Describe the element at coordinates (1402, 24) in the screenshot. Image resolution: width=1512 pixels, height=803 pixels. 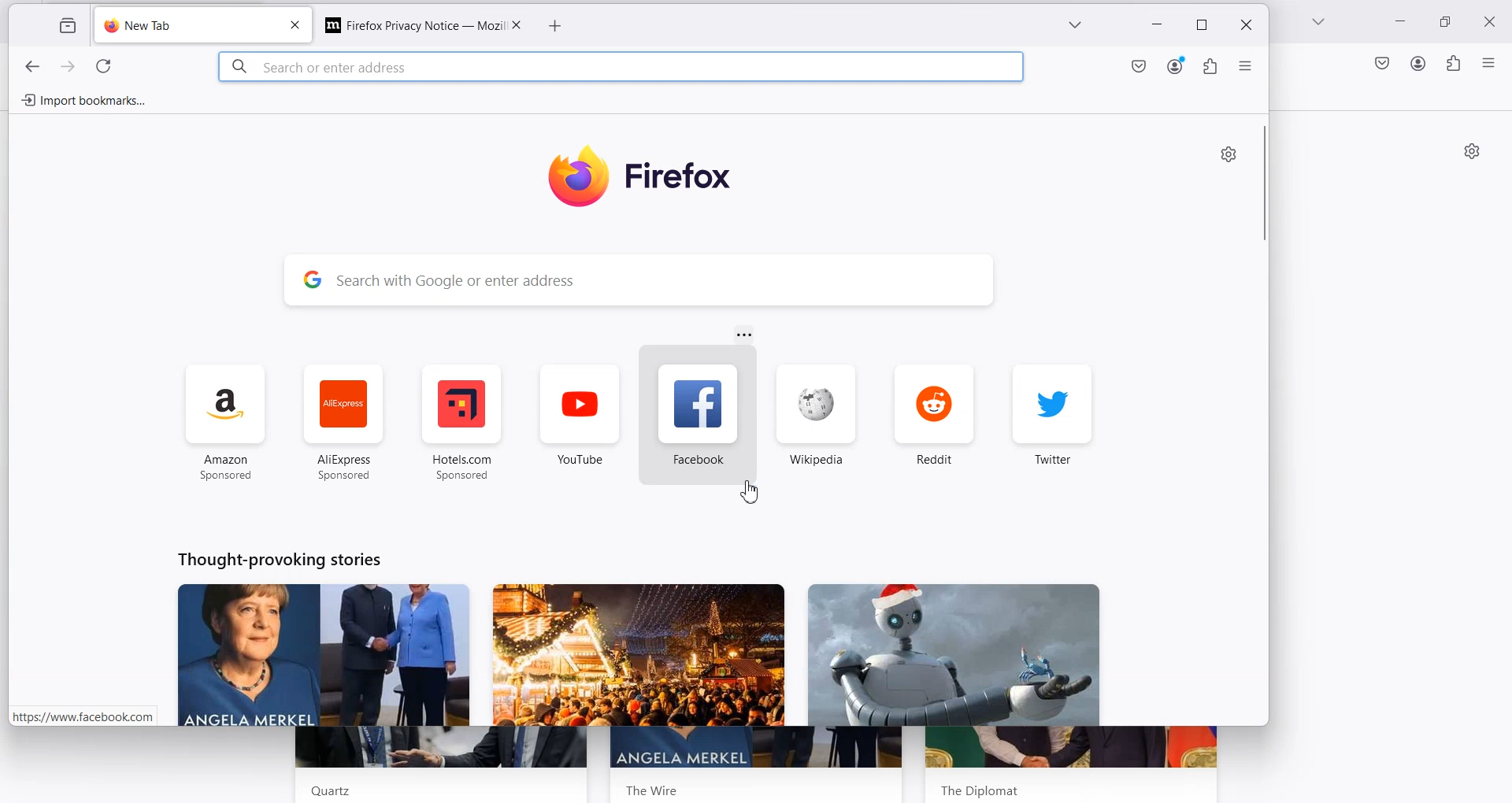
I see `Minimize` at that location.